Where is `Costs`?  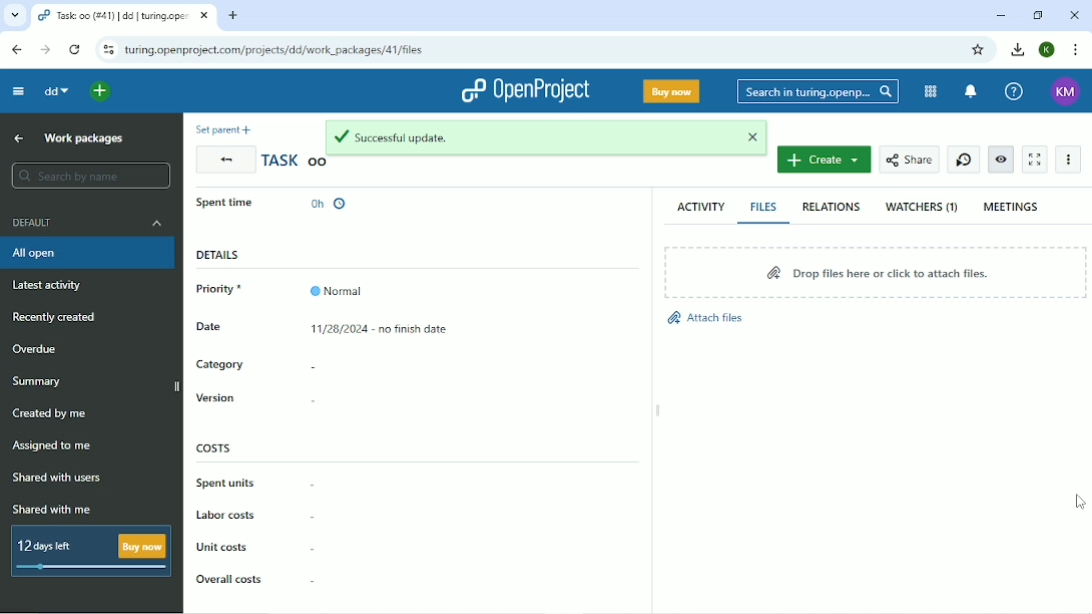
Costs is located at coordinates (214, 447).